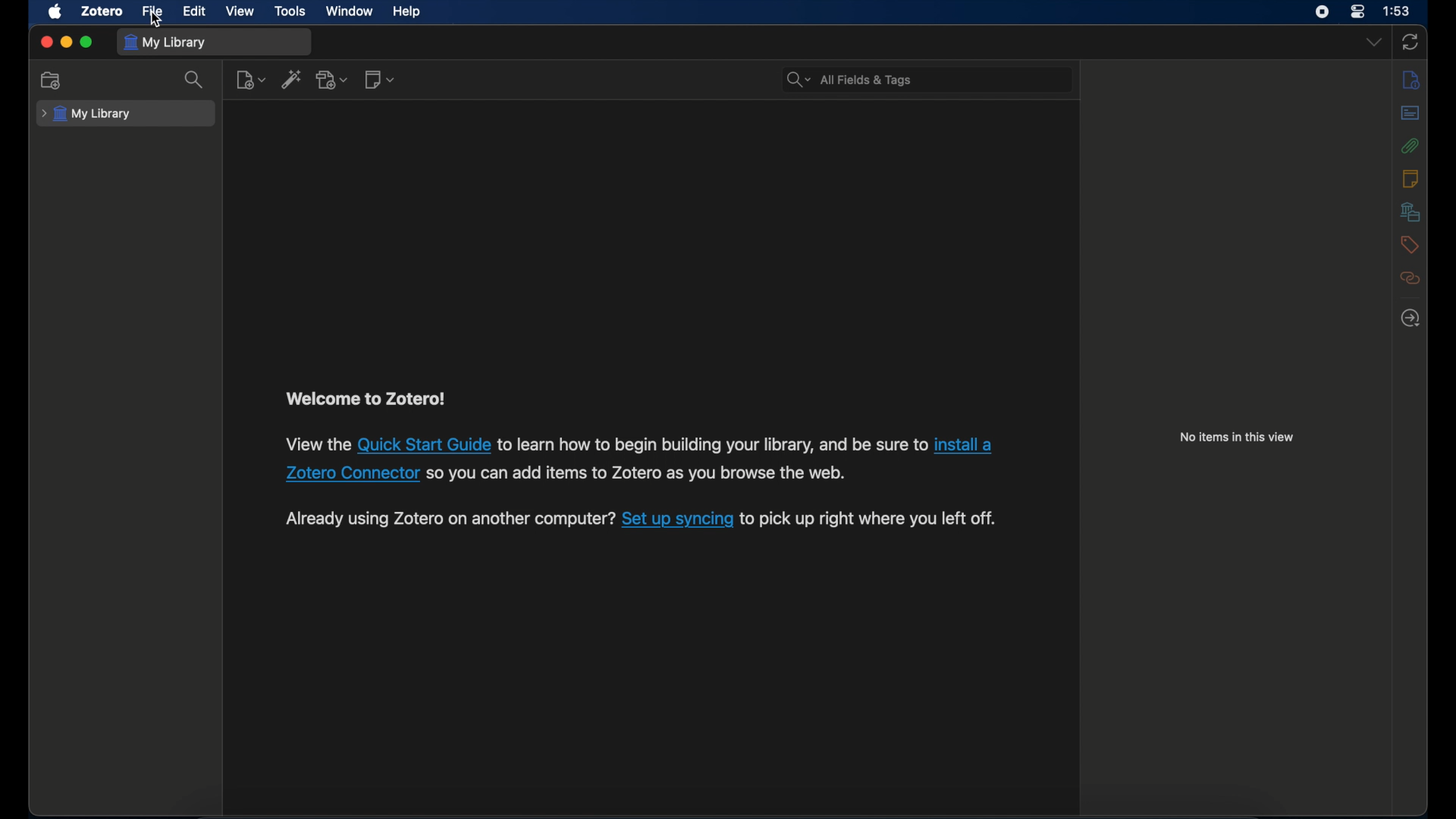 This screenshot has width=1456, height=819. I want to click on abstract, so click(1411, 113).